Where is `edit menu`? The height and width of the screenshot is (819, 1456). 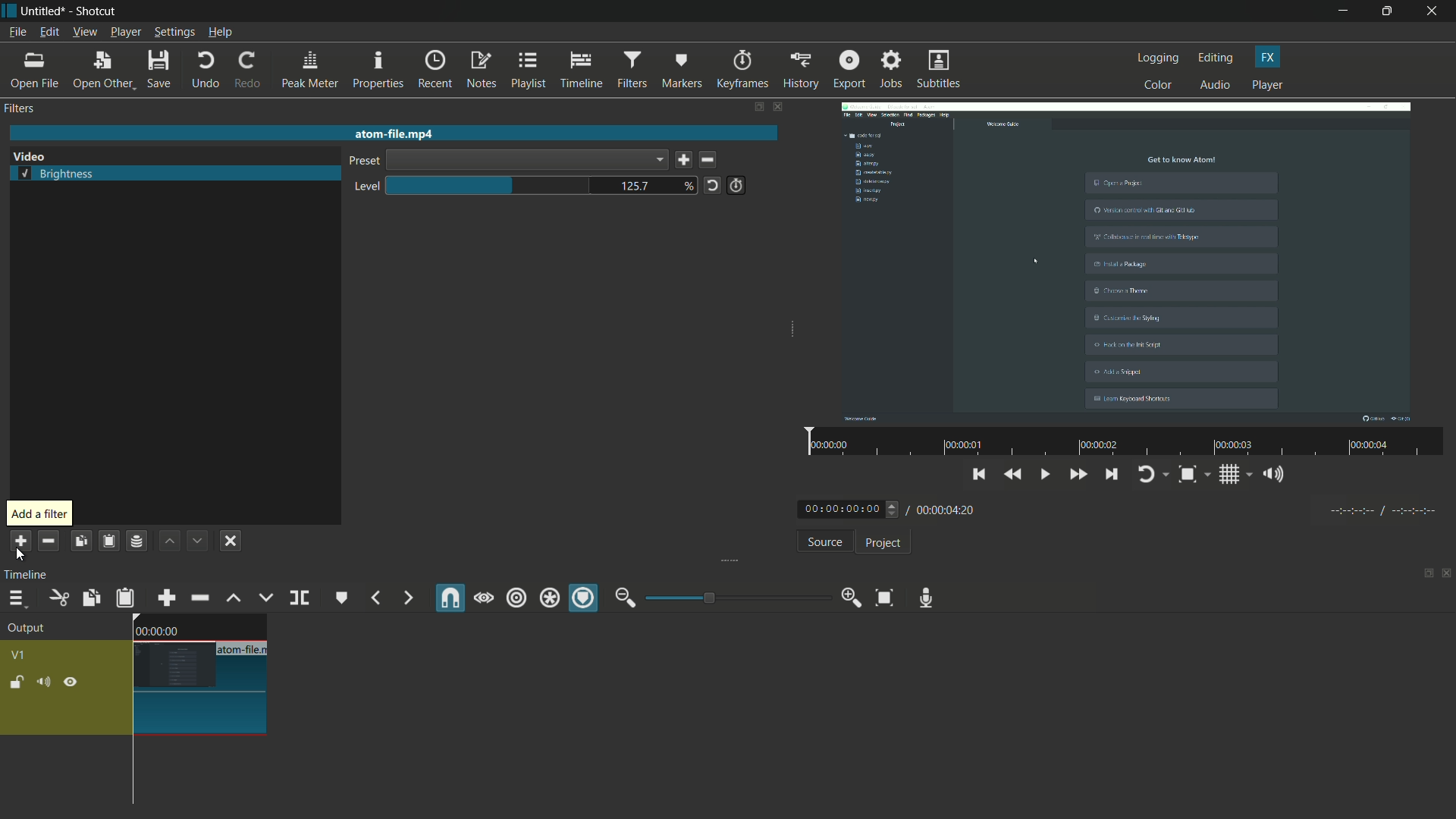
edit menu is located at coordinates (47, 33).